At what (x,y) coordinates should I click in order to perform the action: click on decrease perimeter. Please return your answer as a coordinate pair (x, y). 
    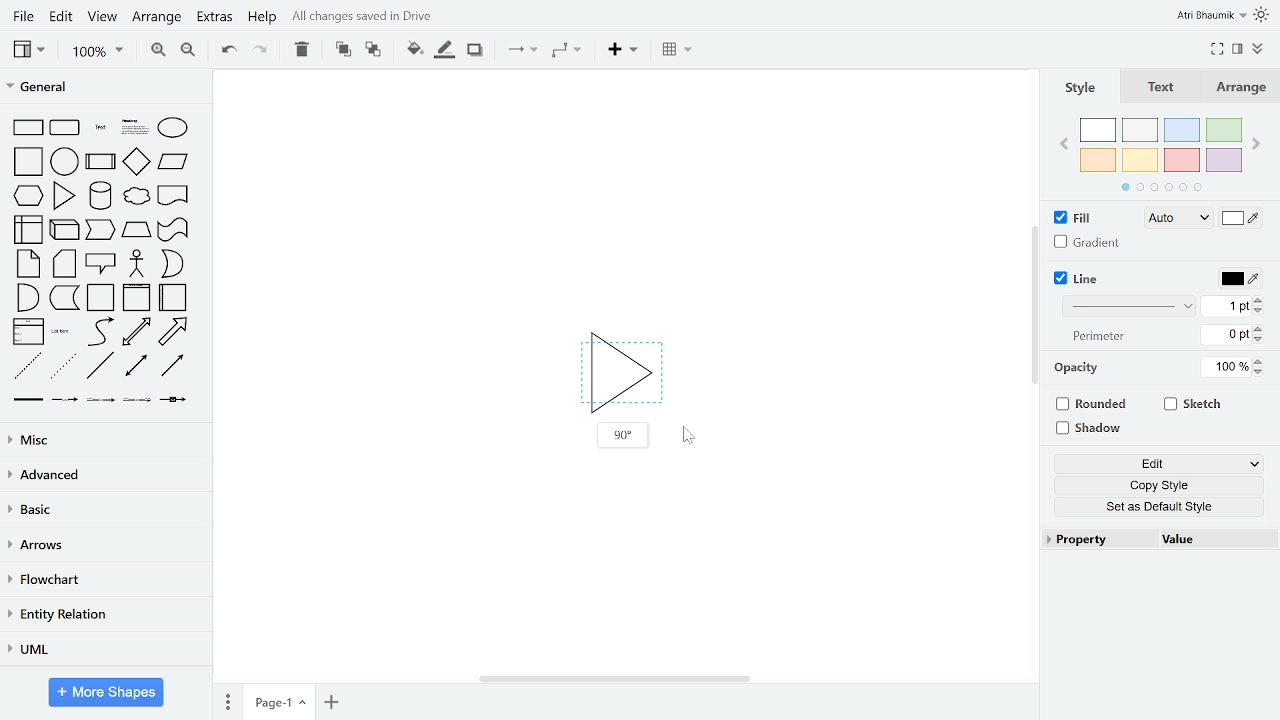
    Looking at the image, I should click on (1259, 339).